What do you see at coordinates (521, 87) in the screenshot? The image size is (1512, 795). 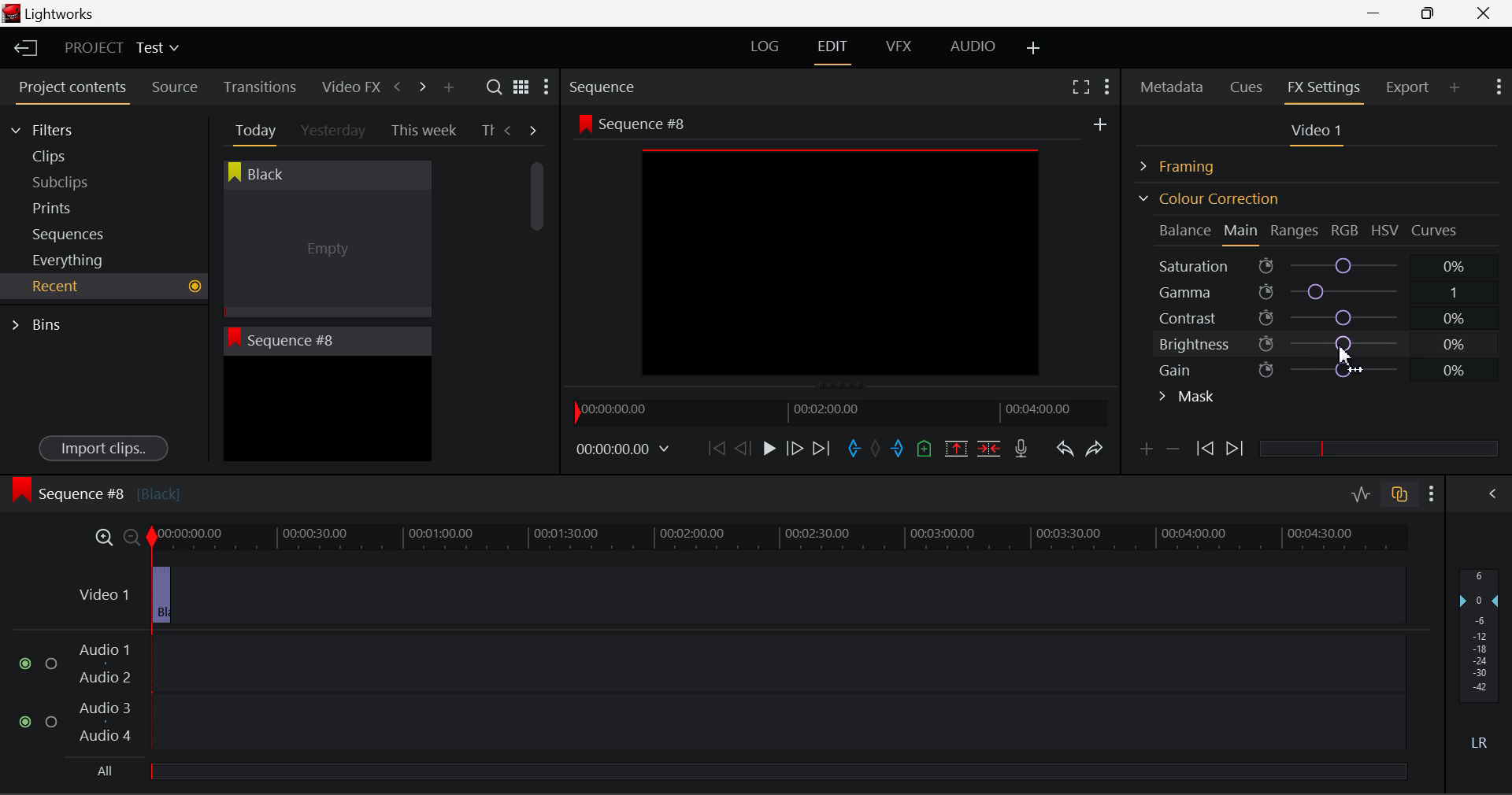 I see `Toggle list and title view` at bounding box center [521, 87].